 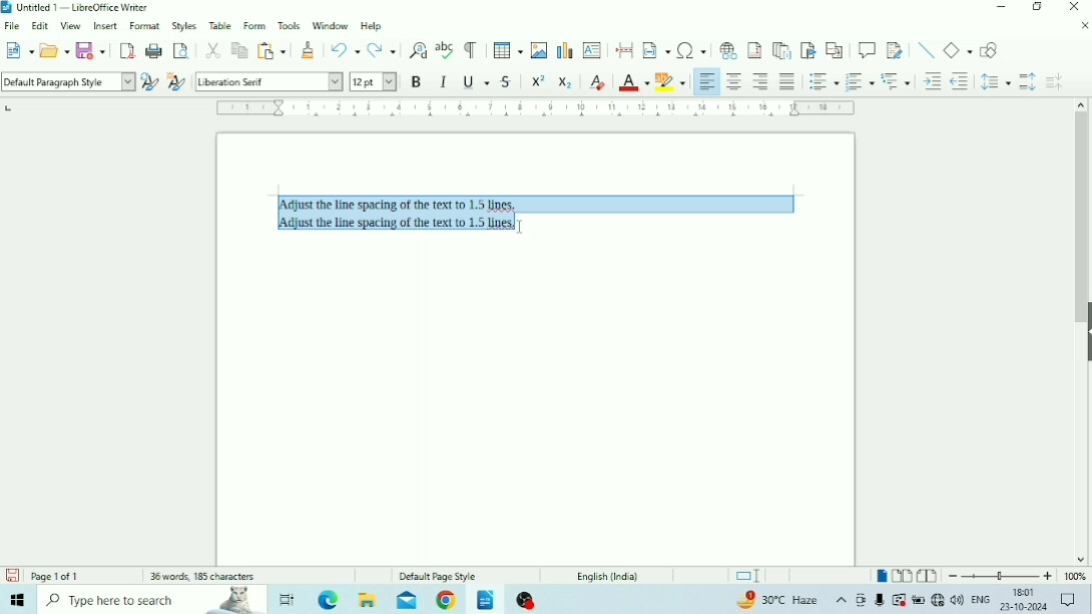 I want to click on Insert Cross-reference, so click(x=834, y=49).